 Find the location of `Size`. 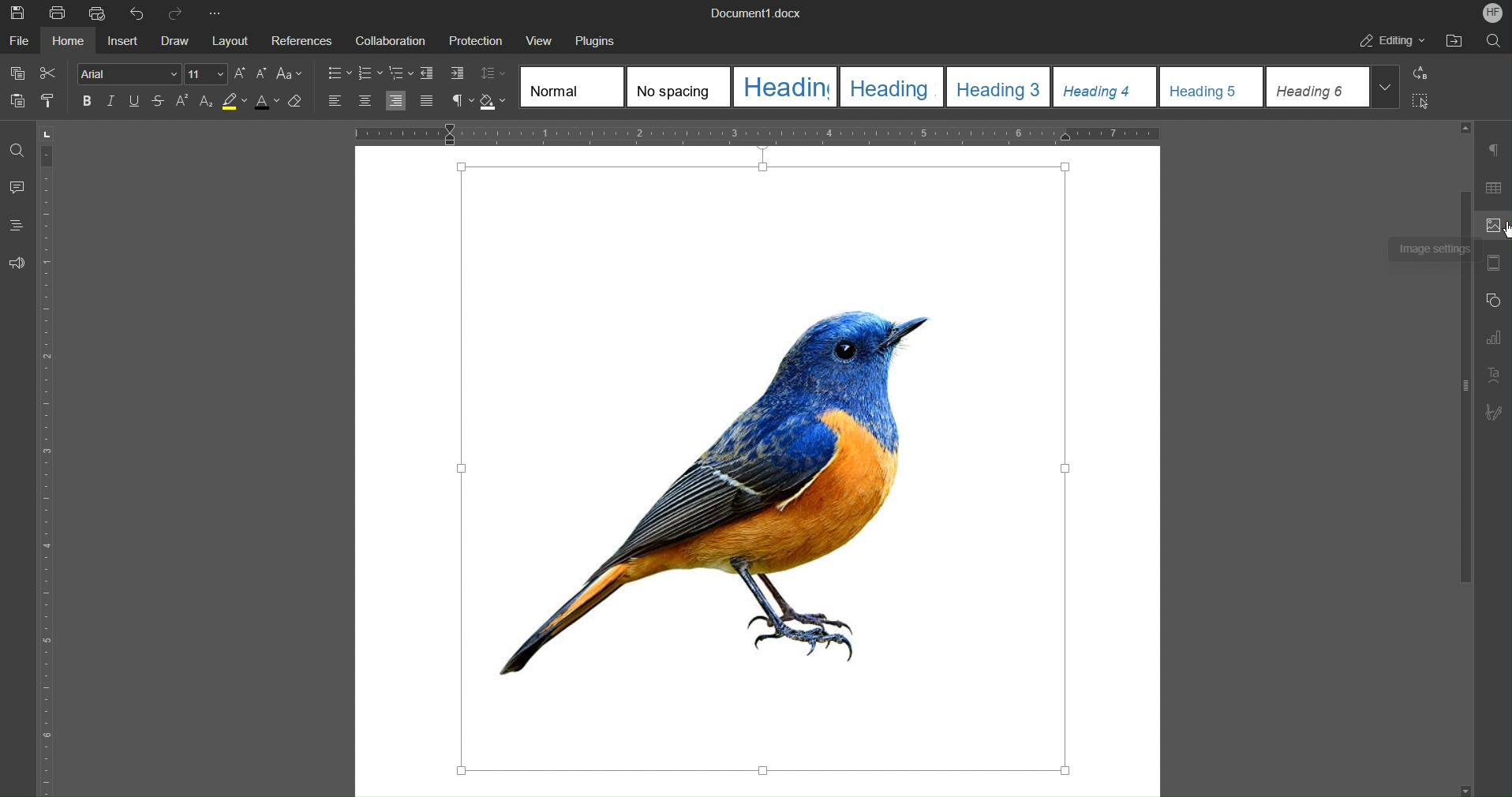

Size is located at coordinates (206, 73).